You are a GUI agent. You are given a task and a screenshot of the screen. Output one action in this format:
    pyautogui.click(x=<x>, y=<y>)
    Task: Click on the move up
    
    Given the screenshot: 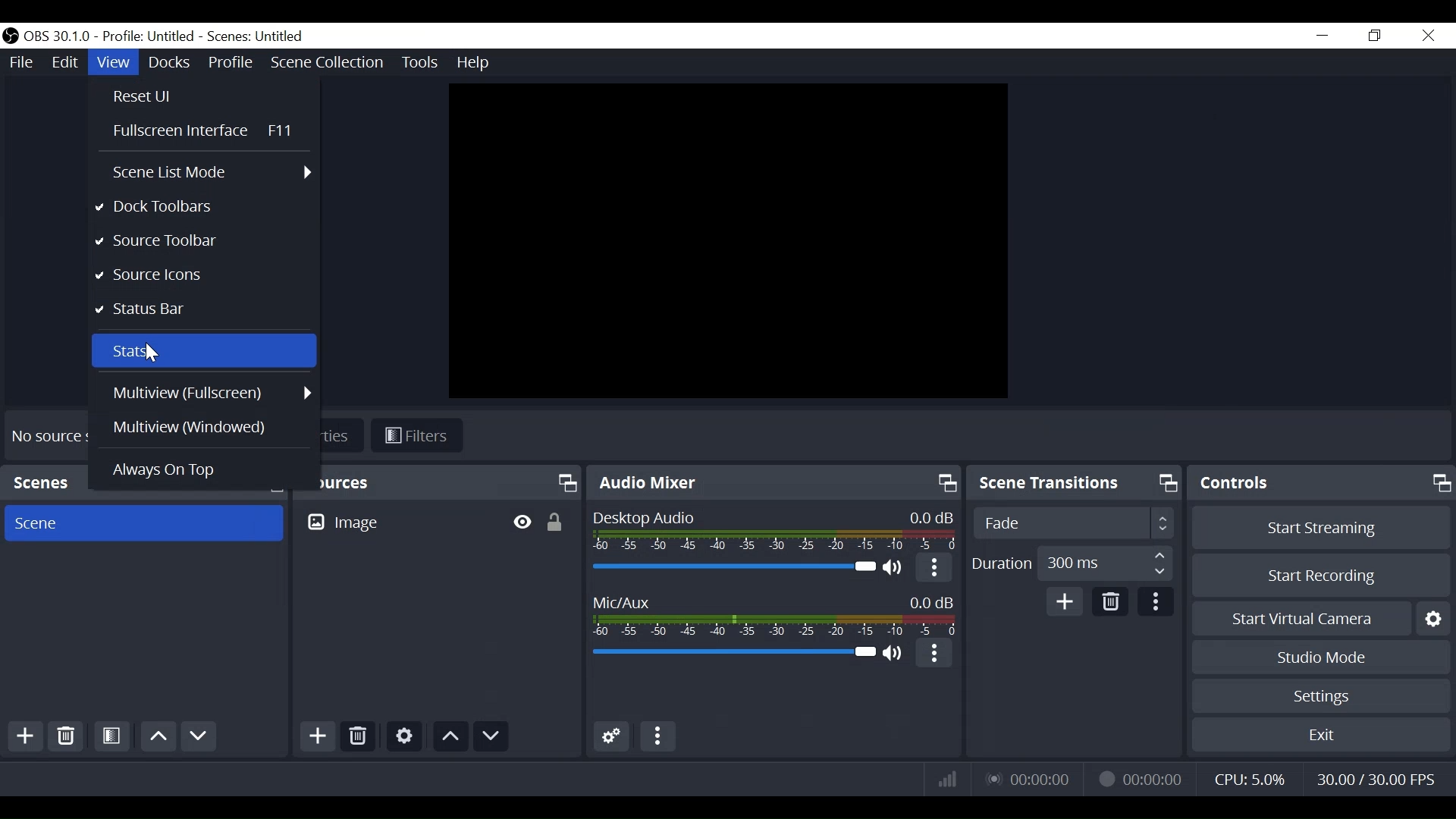 What is the action you would take?
    pyautogui.click(x=158, y=737)
    